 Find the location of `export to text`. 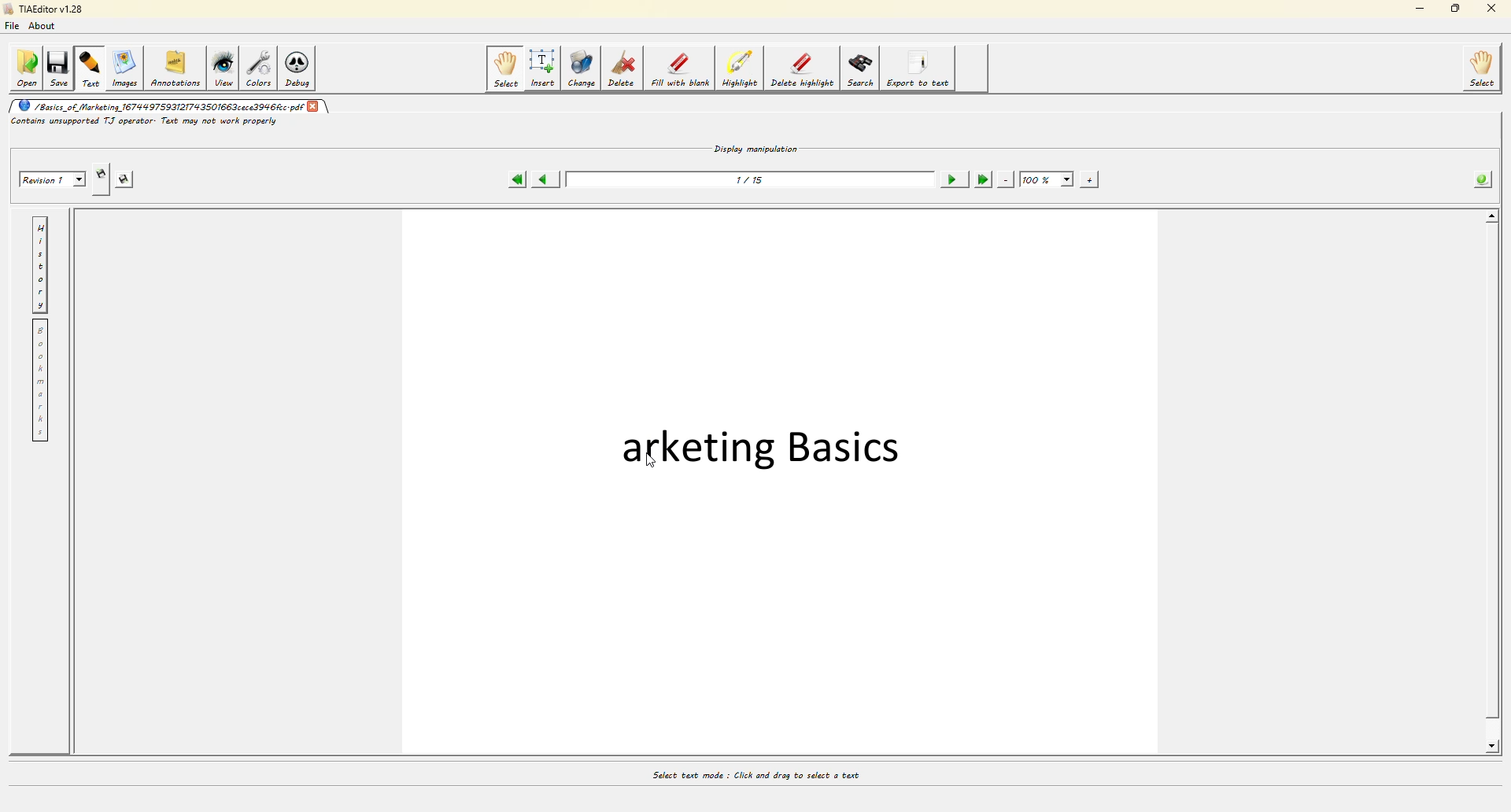

export to text is located at coordinates (918, 69).